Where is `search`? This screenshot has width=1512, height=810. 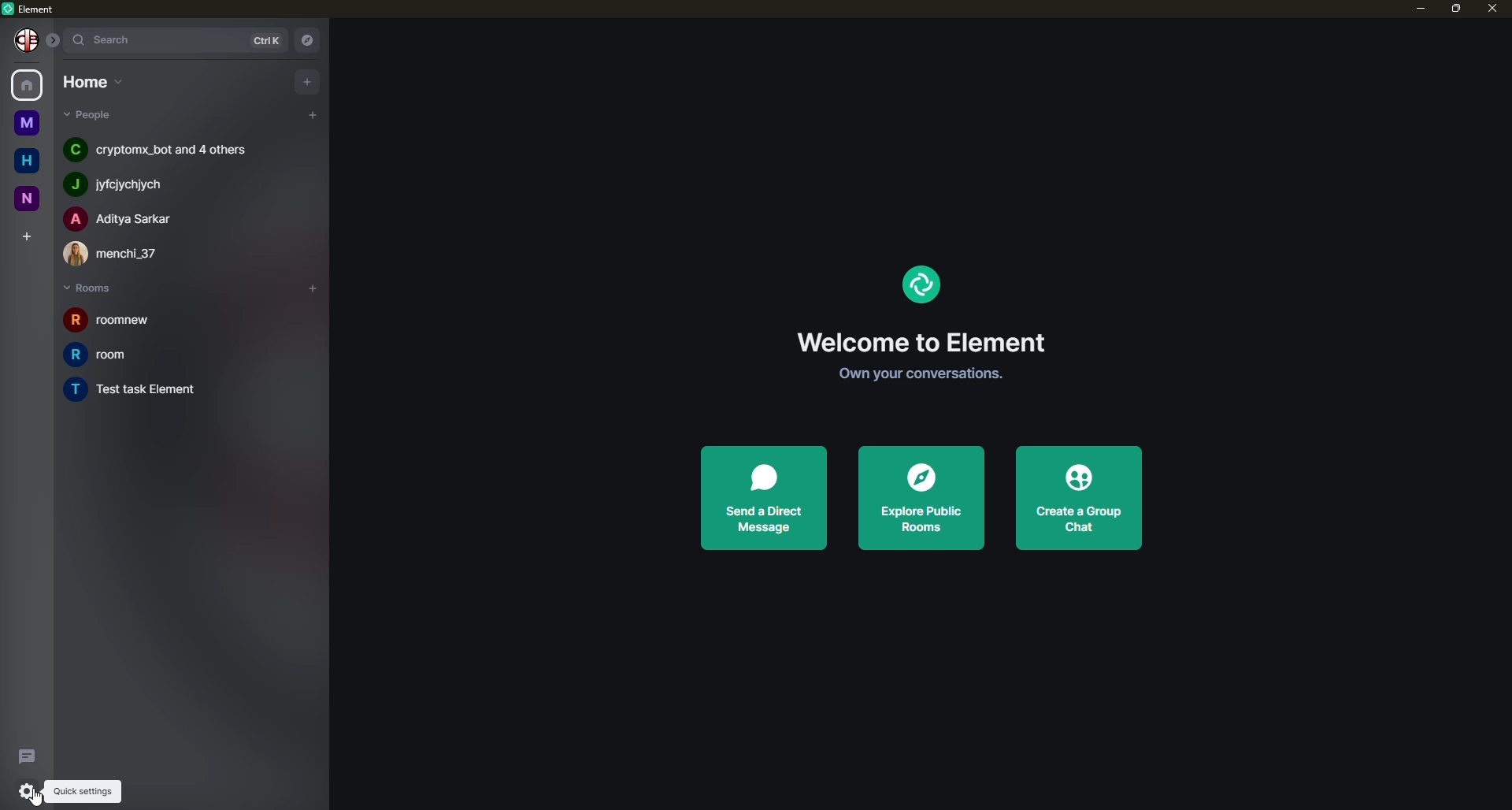 search is located at coordinates (110, 39).